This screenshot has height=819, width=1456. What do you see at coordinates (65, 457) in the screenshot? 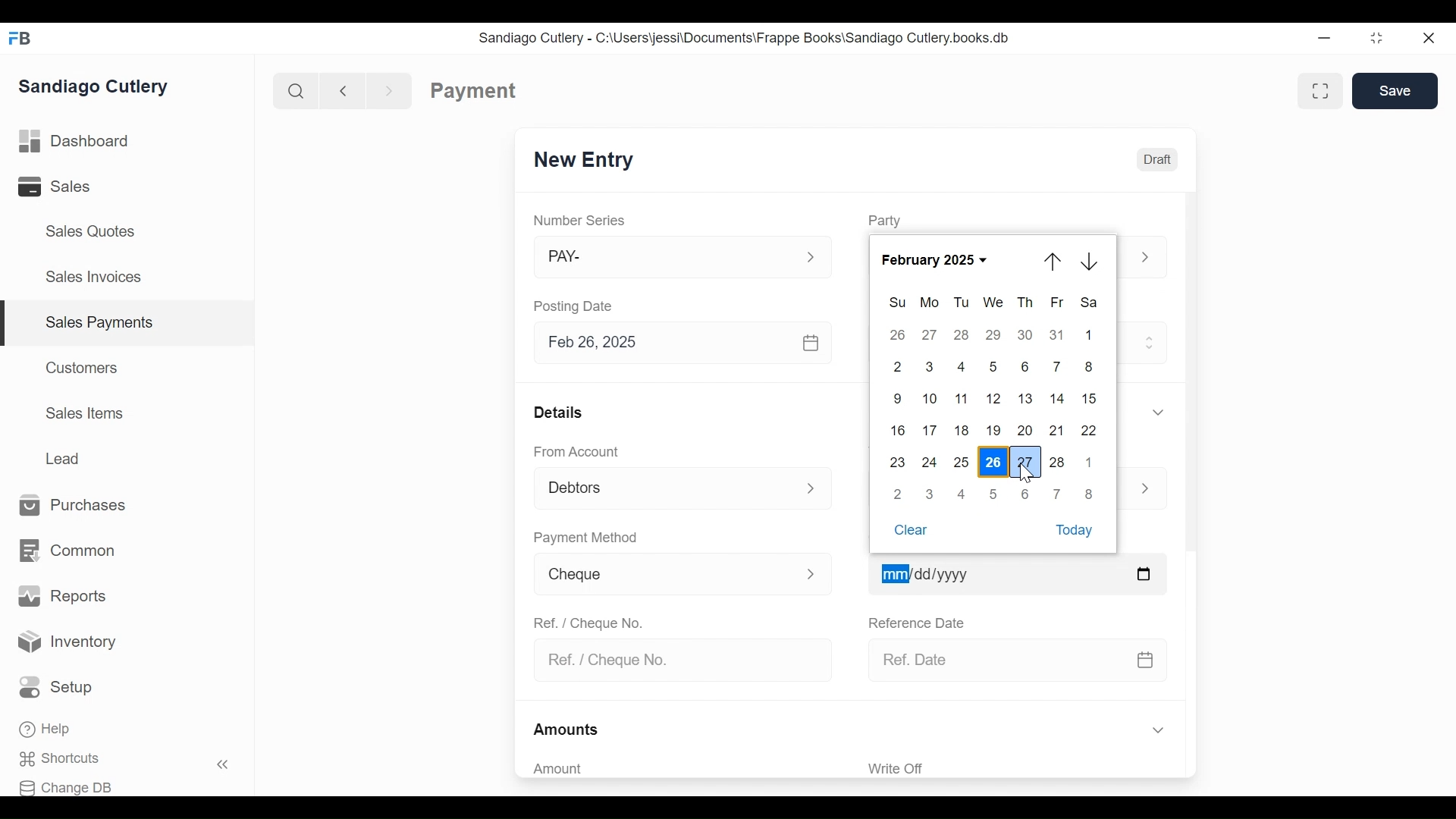
I see `Lead` at bounding box center [65, 457].